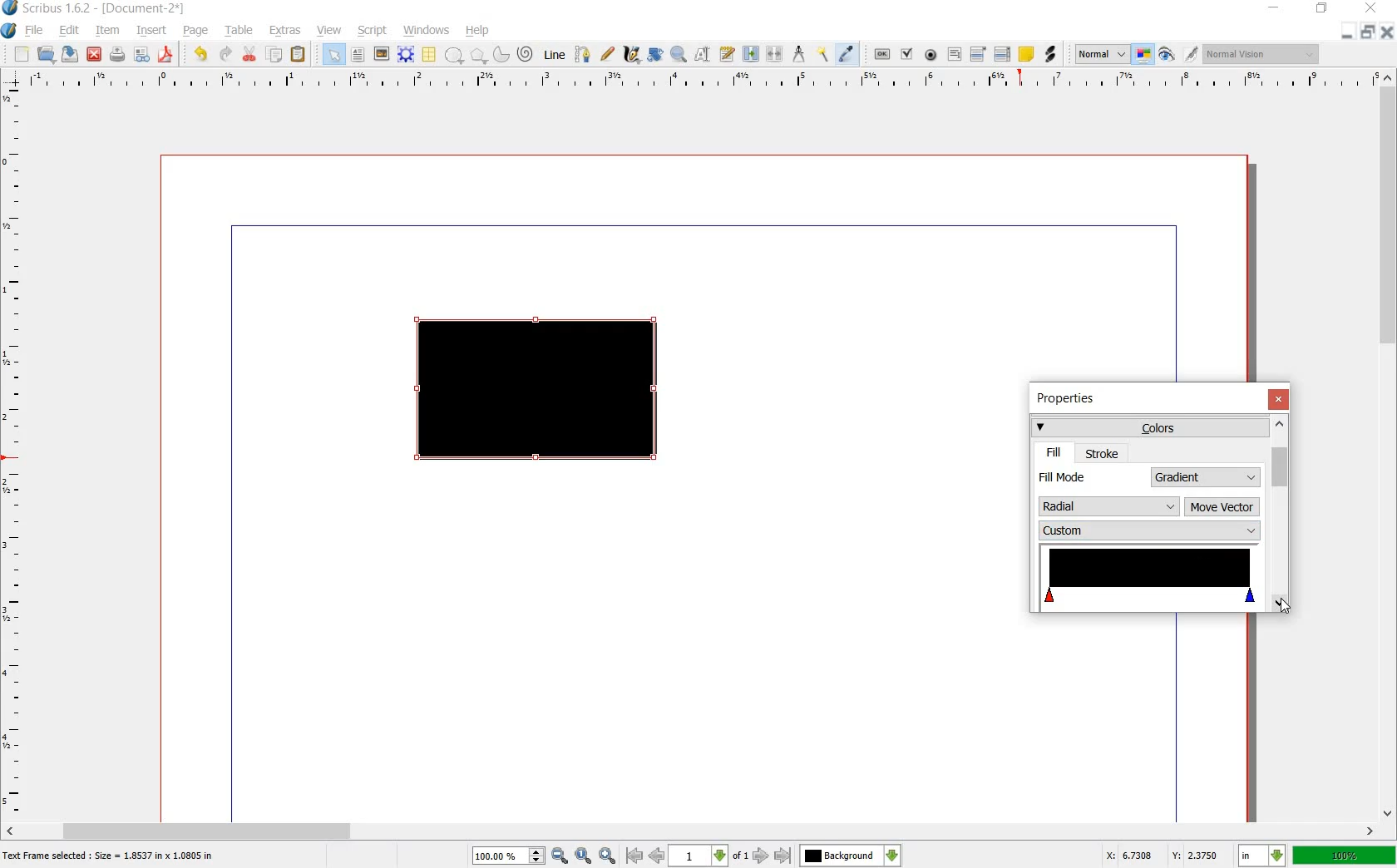  Describe the element at coordinates (299, 55) in the screenshot. I see `paste` at that location.